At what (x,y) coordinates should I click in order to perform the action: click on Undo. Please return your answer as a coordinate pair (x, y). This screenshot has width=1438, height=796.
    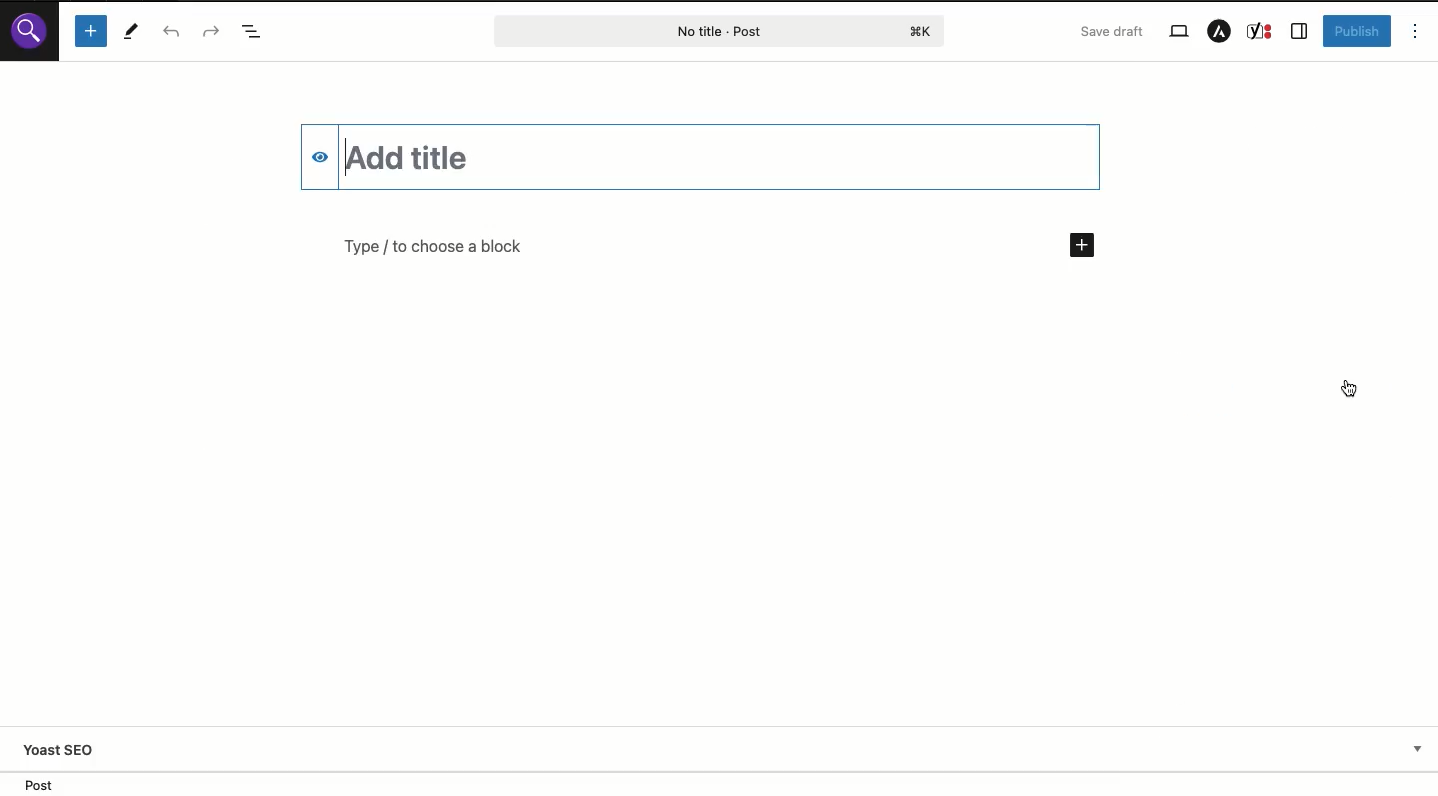
    Looking at the image, I should click on (173, 33).